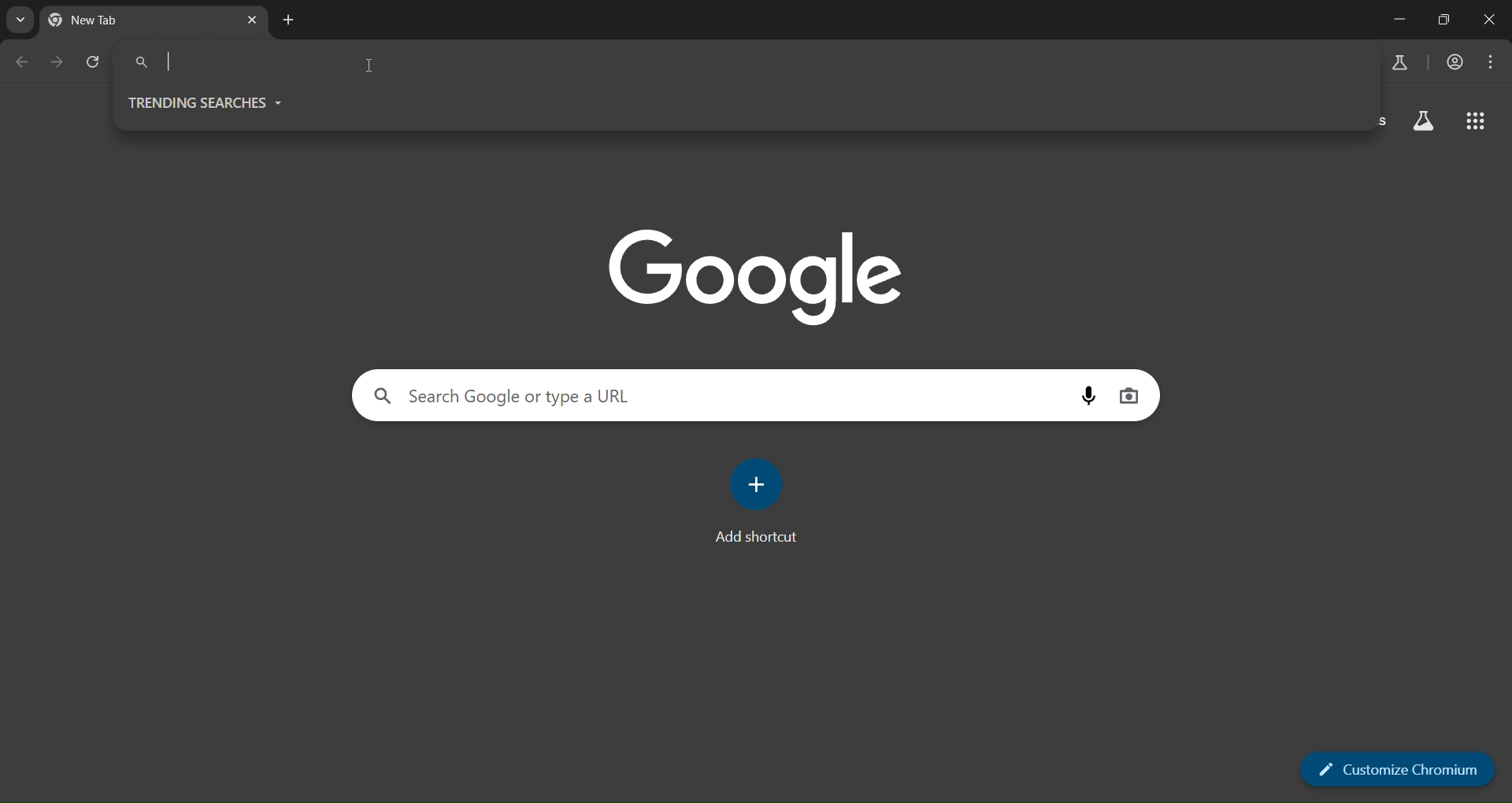 The image size is (1512, 803). Describe the element at coordinates (206, 102) in the screenshot. I see `trending searches` at that location.